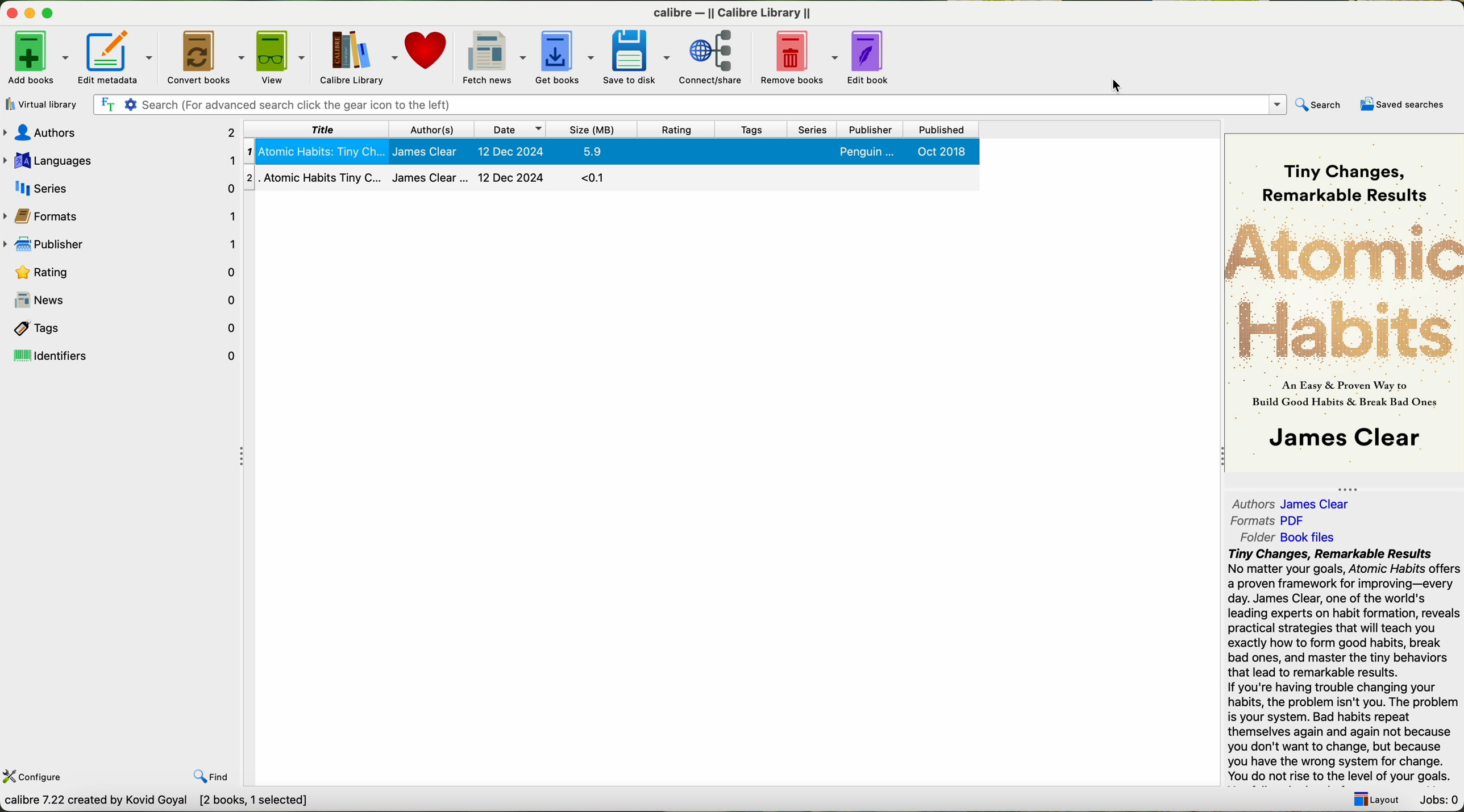 This screenshot has height=812, width=1464. Describe the element at coordinates (427, 152) in the screenshot. I see `James Clear` at that location.